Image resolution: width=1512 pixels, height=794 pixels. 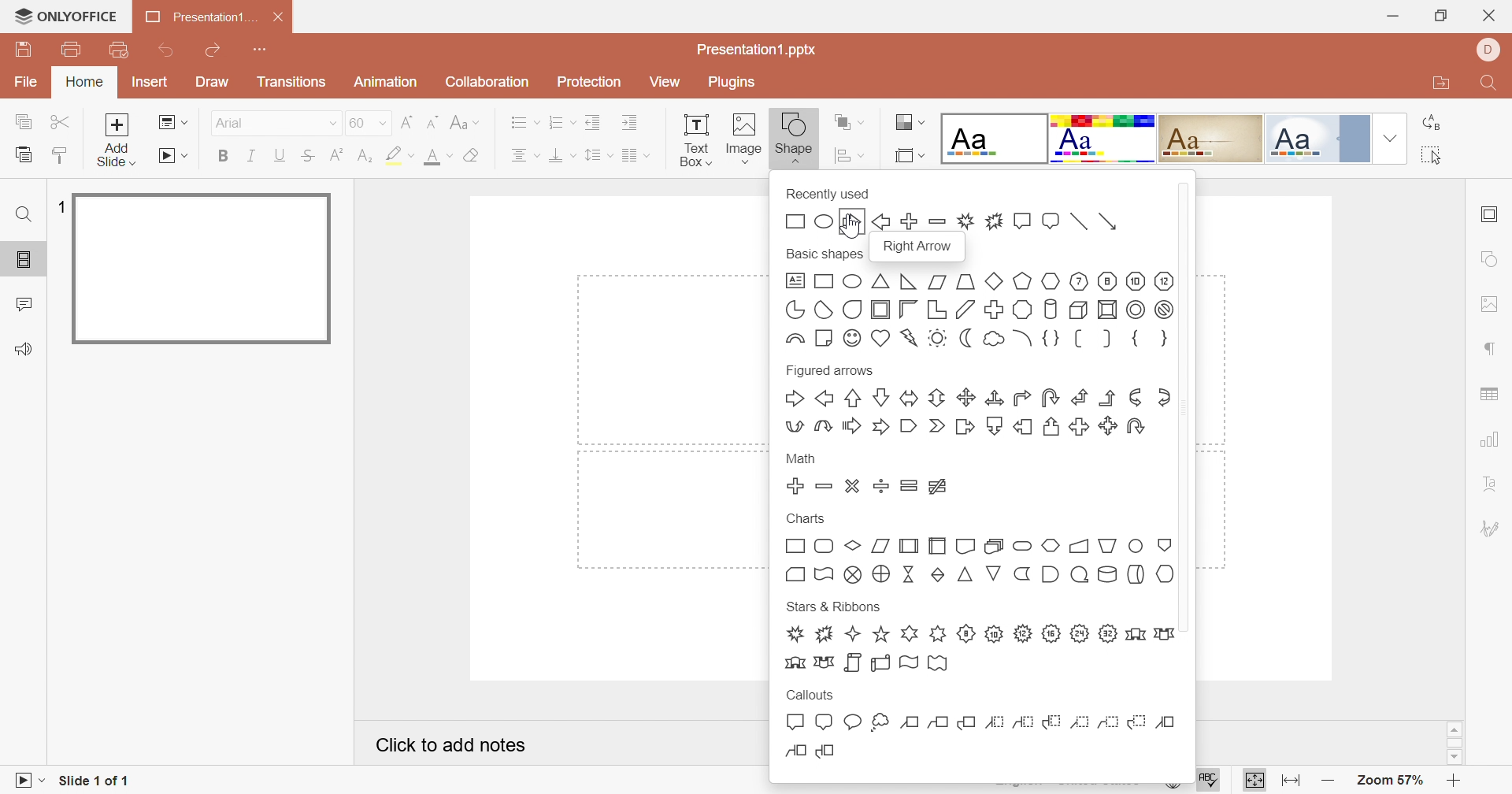 What do you see at coordinates (23, 349) in the screenshot?
I see `Feedback and support` at bounding box center [23, 349].